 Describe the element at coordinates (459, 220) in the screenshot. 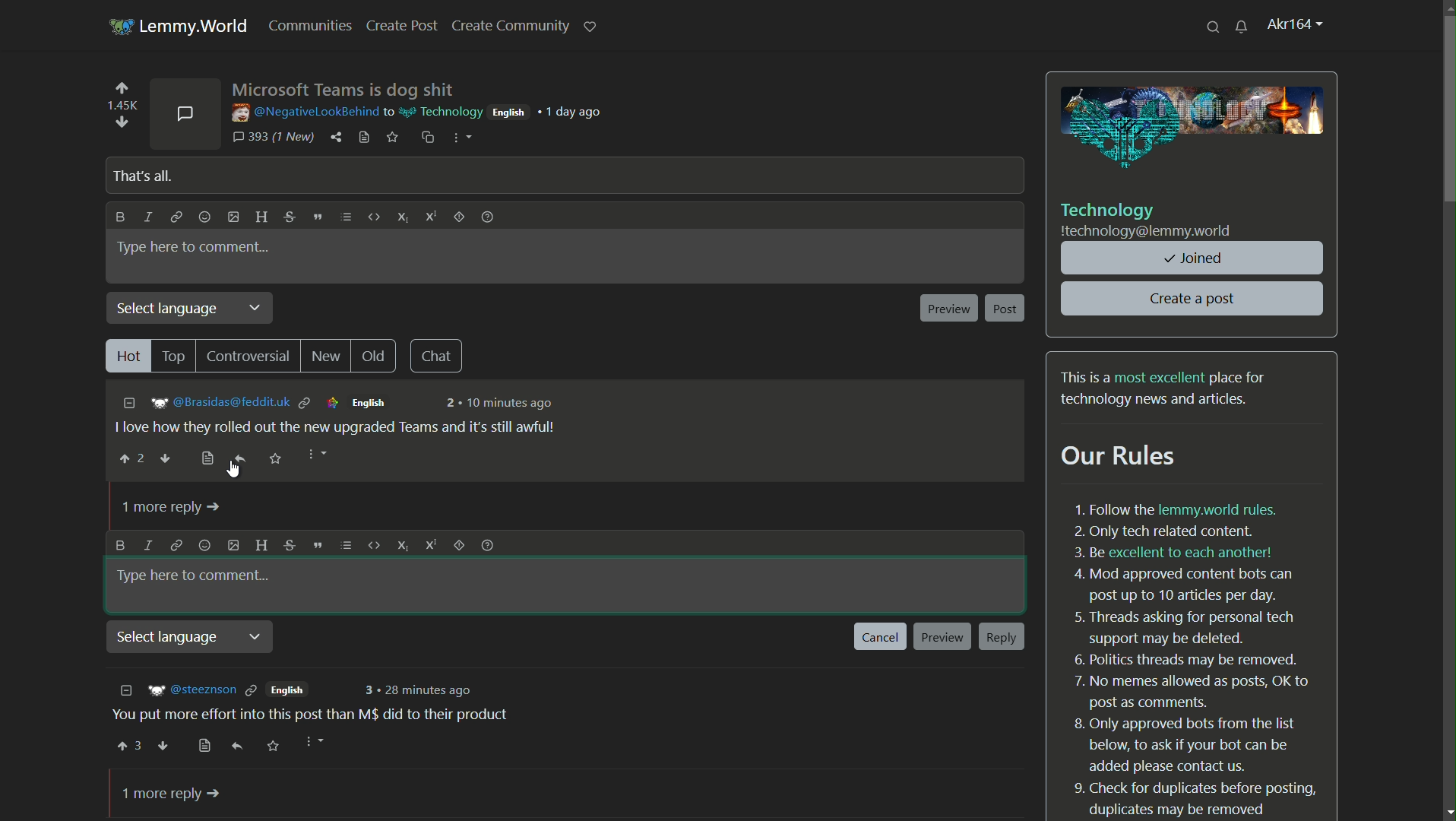

I see `spoiler` at that location.